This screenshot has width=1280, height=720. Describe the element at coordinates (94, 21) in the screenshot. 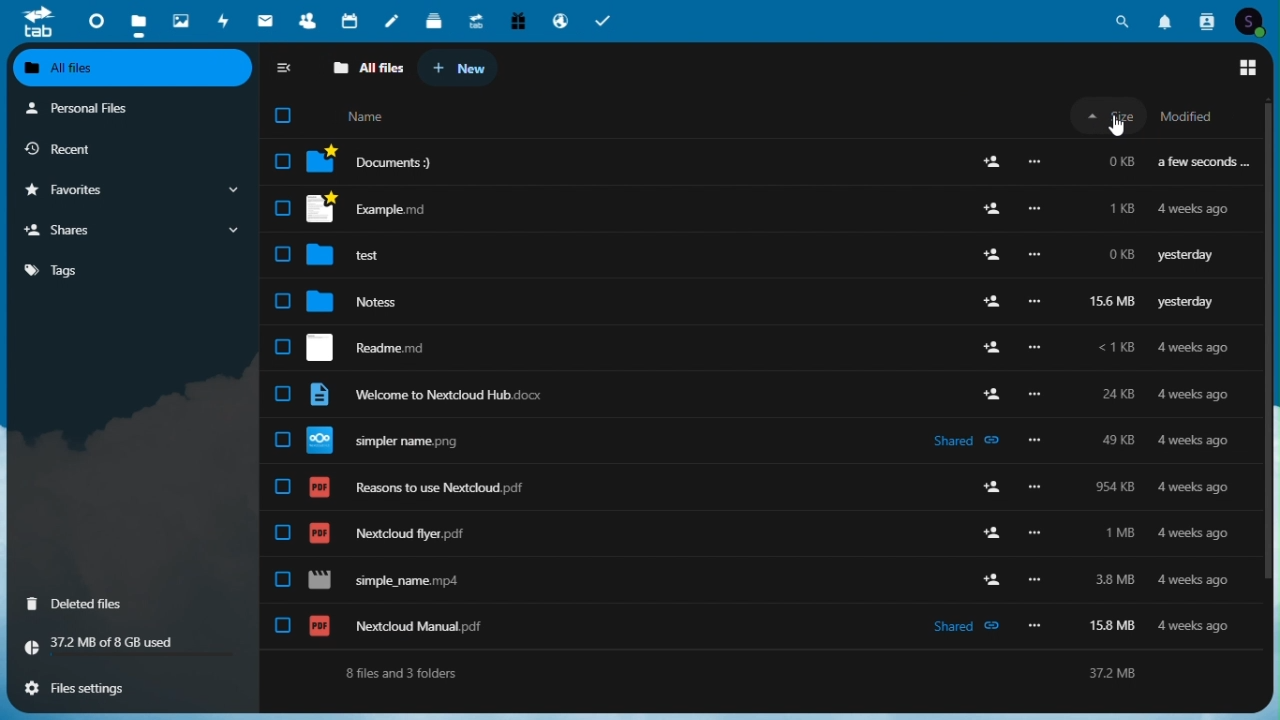

I see `Dashboard` at that location.